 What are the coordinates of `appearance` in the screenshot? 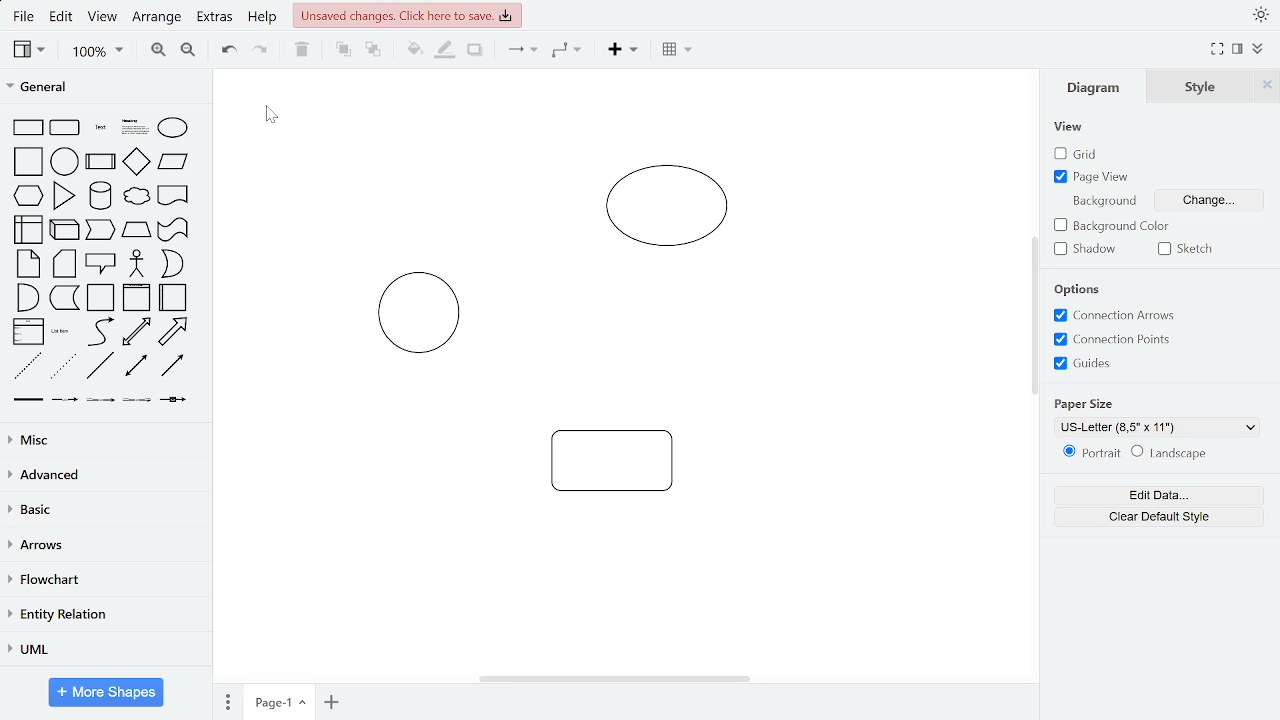 It's located at (1258, 15).